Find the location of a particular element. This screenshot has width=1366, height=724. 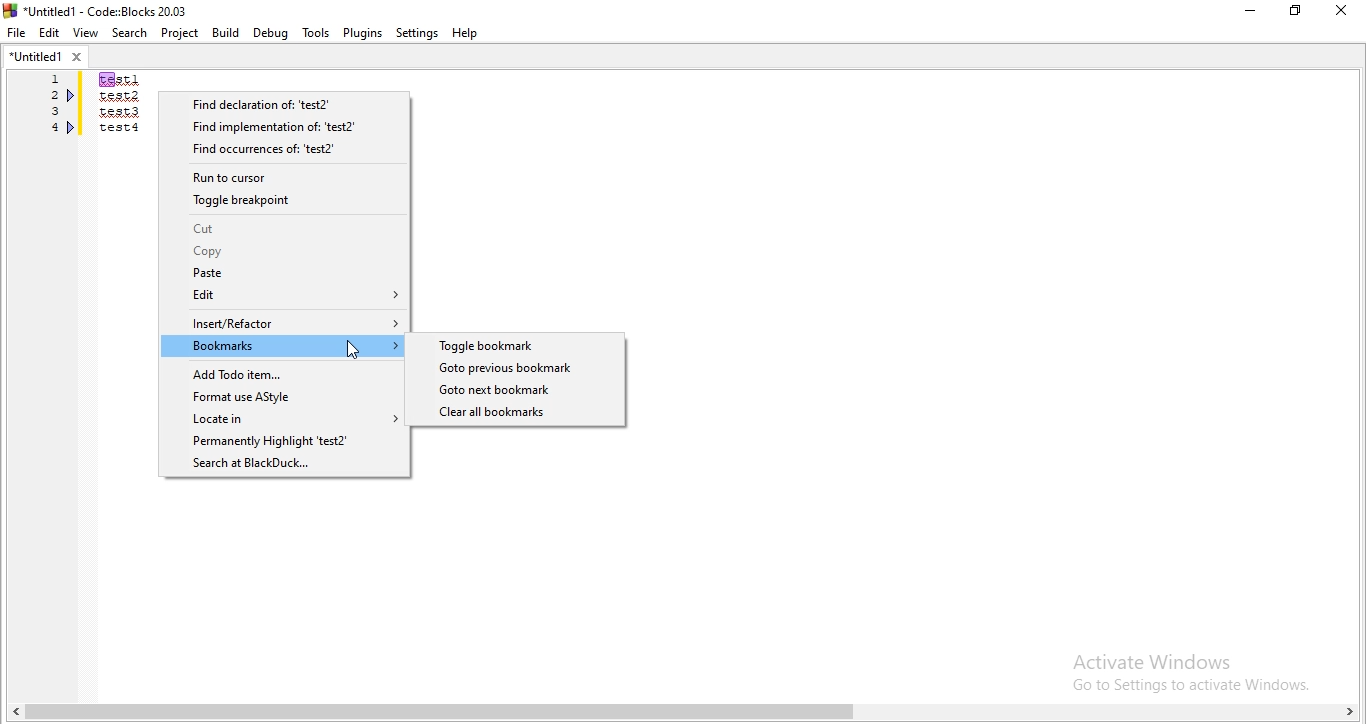

Help is located at coordinates (469, 35).